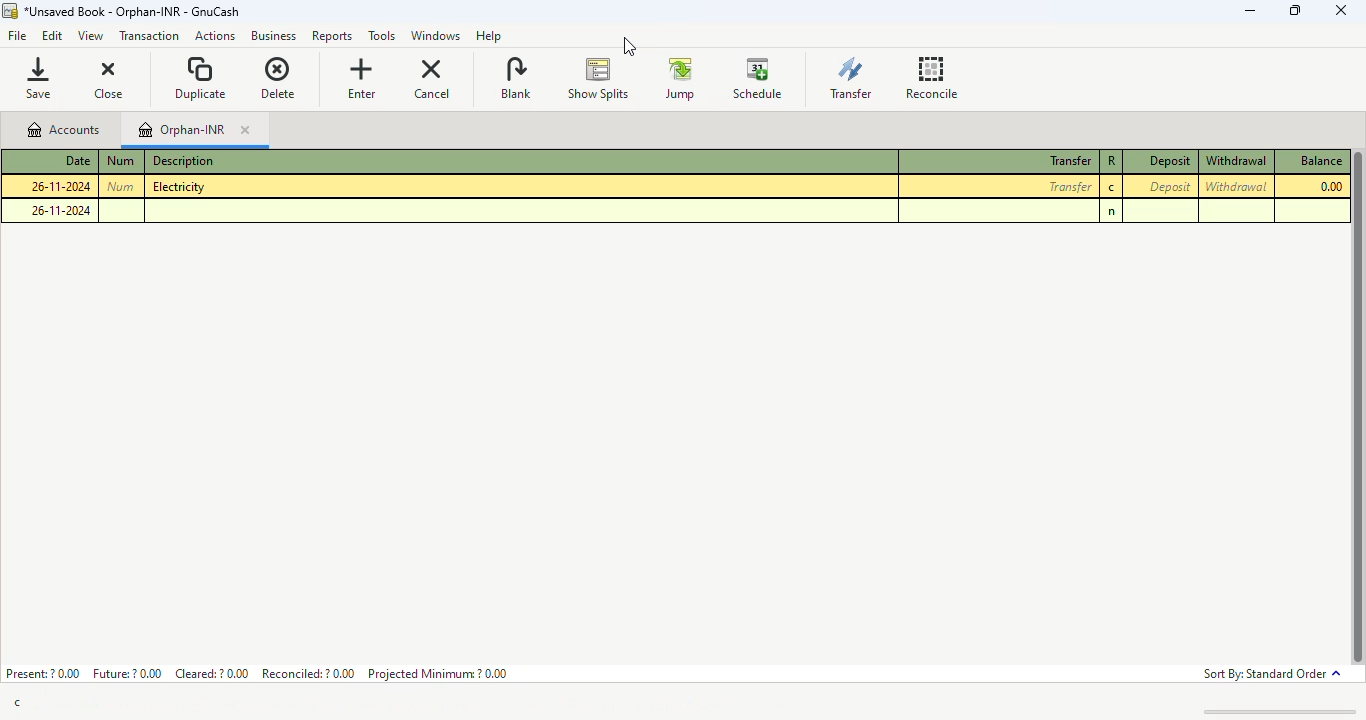  What do you see at coordinates (1235, 185) in the screenshot?
I see `withdrawal` at bounding box center [1235, 185].